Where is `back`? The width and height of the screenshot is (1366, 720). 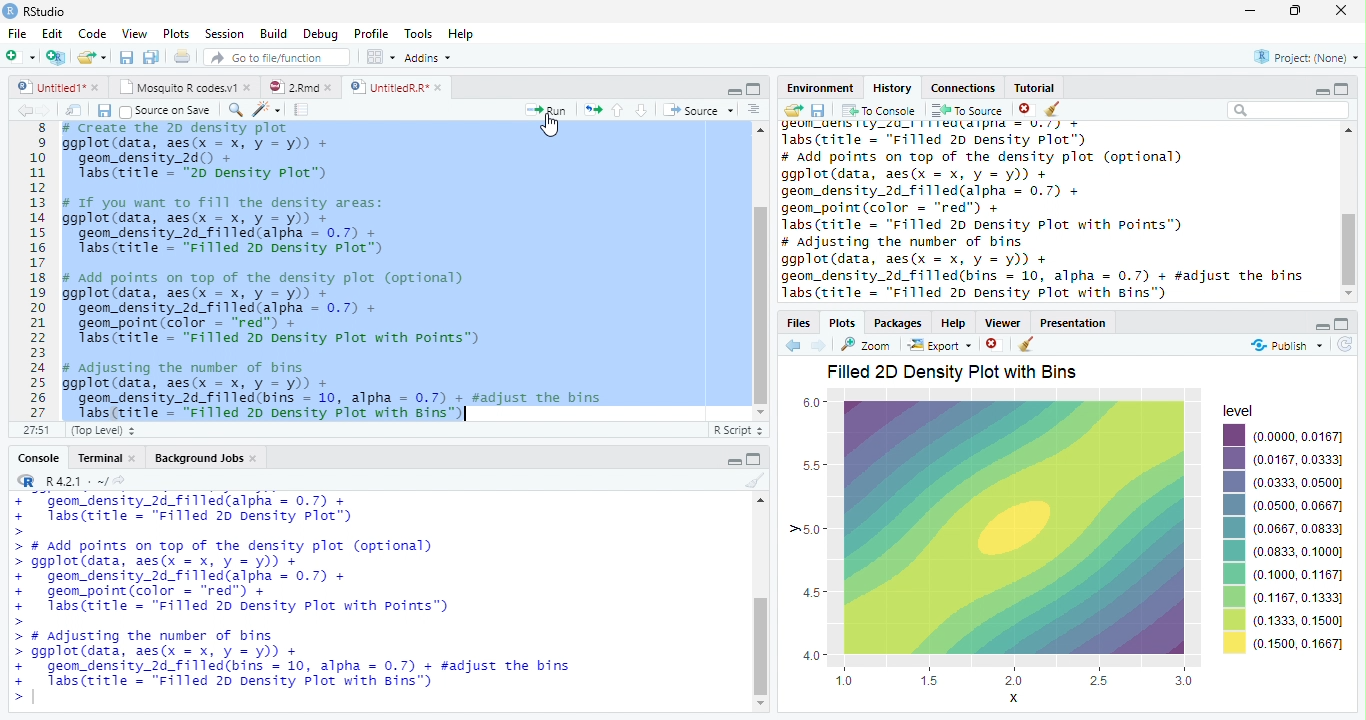 back is located at coordinates (20, 110).